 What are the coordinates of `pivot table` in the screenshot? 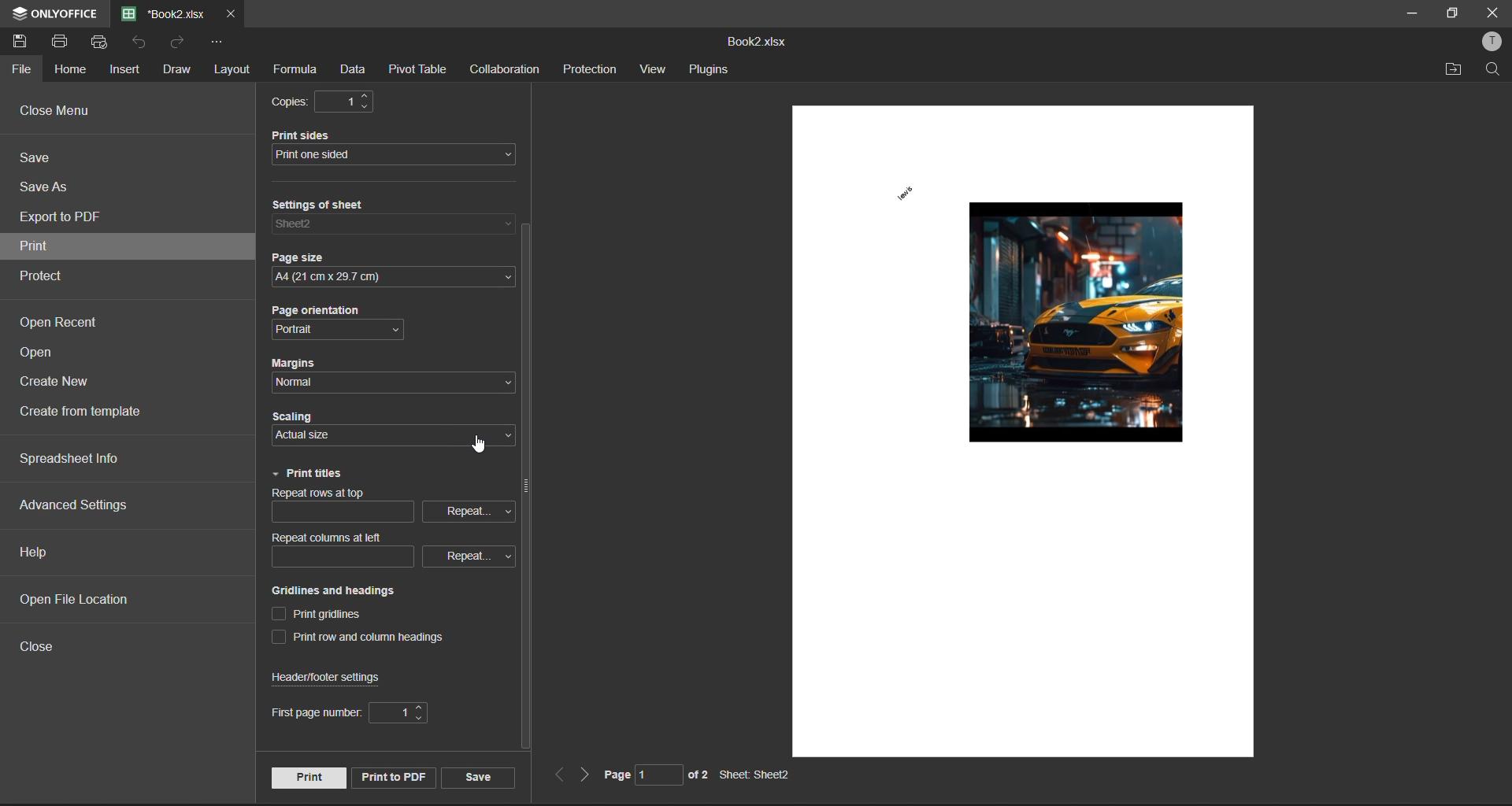 It's located at (421, 68).